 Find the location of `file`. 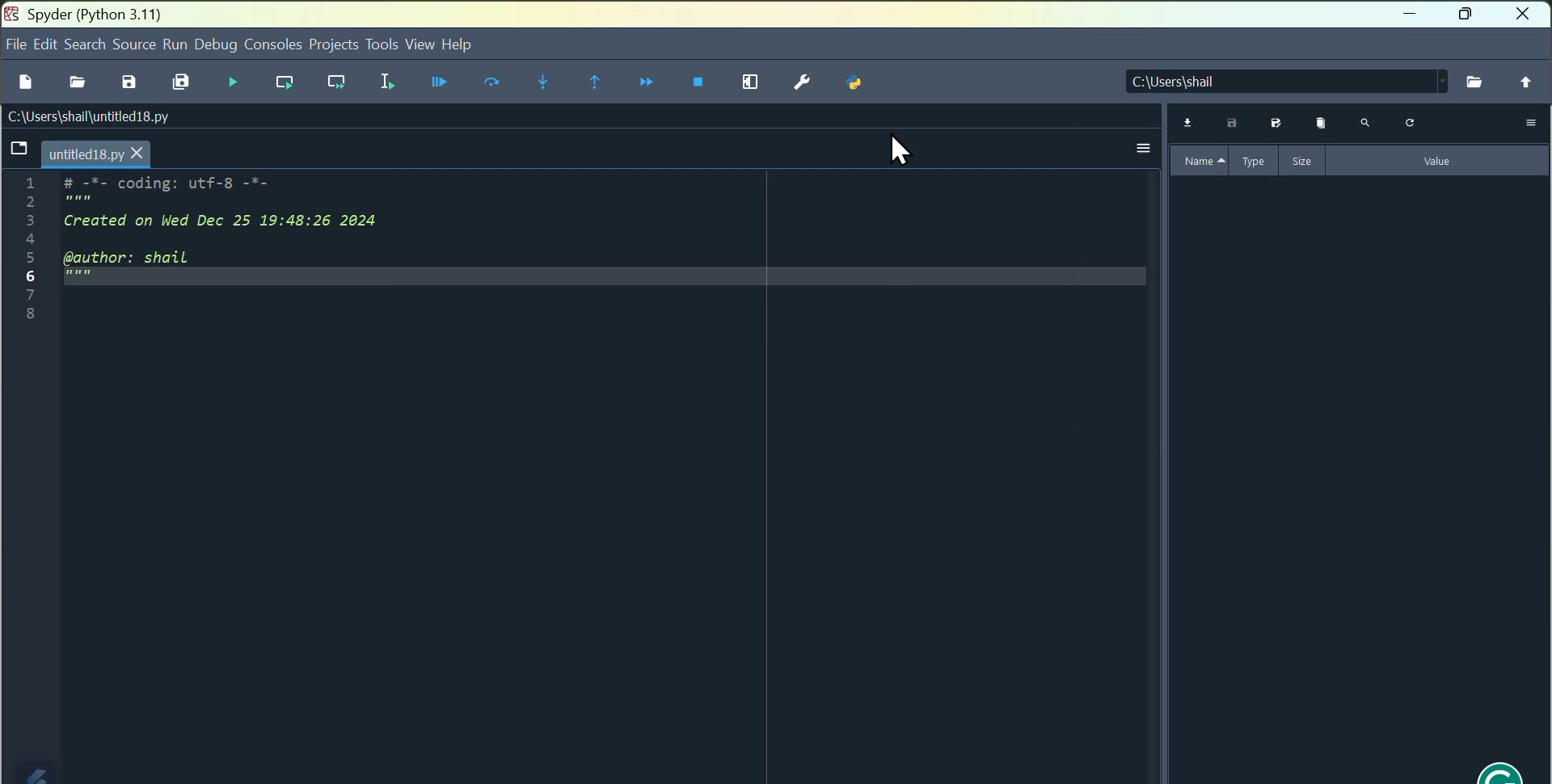

file is located at coordinates (11, 44).